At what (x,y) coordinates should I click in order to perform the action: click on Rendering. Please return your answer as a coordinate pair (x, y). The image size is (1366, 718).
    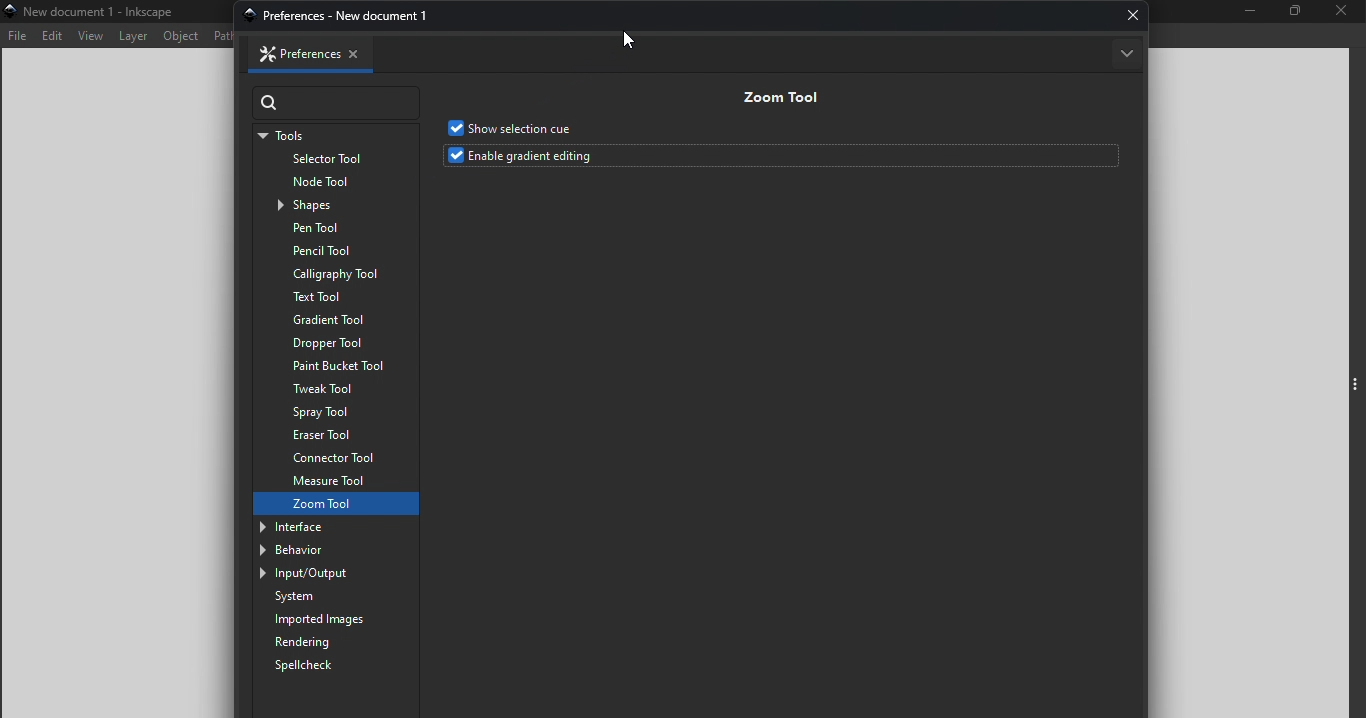
    Looking at the image, I should click on (318, 643).